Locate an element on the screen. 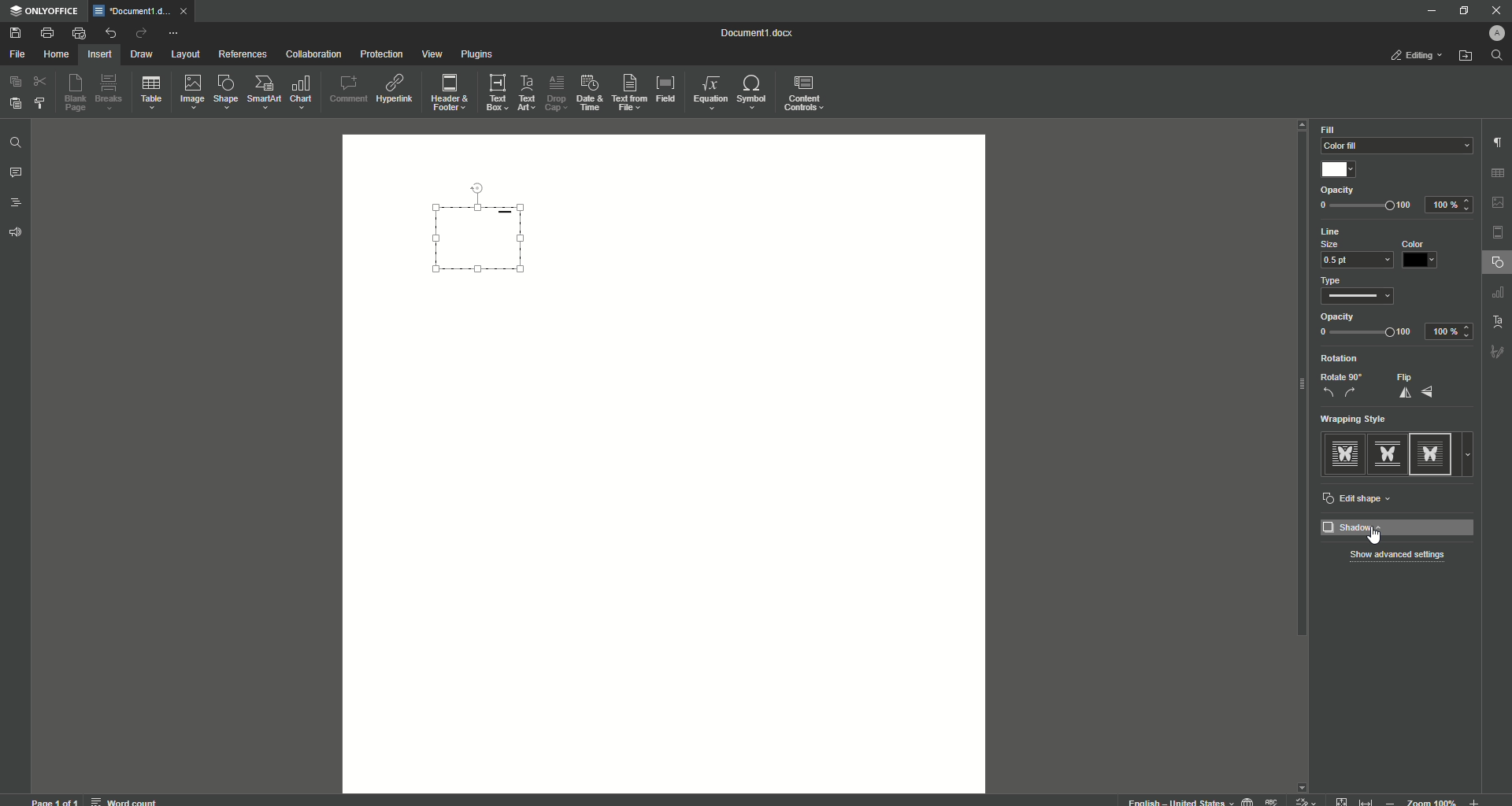 The image size is (1512, 806). 100% is located at coordinates (1449, 332).